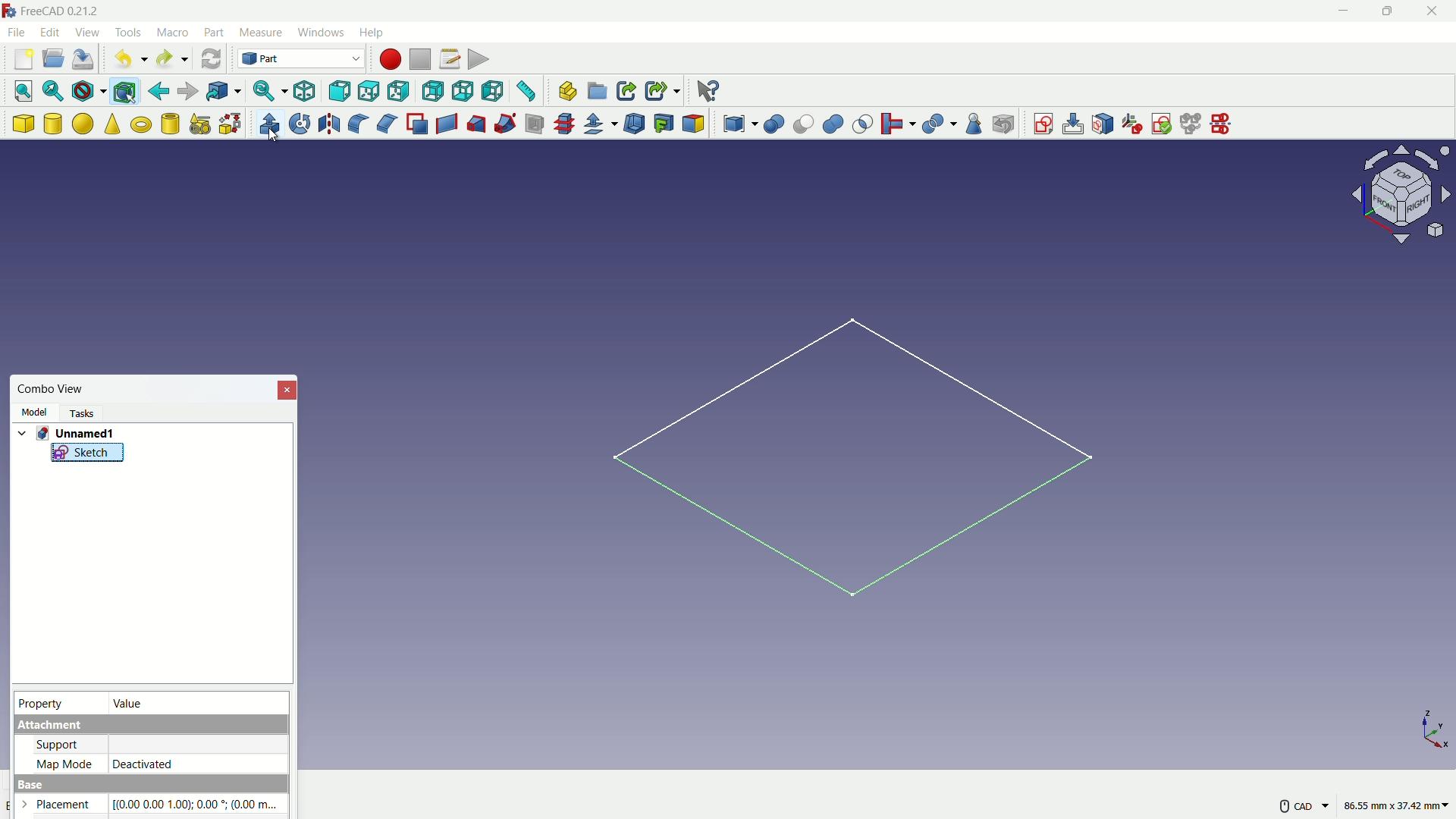 Image resolution: width=1456 pixels, height=819 pixels. What do you see at coordinates (159, 92) in the screenshot?
I see `go back` at bounding box center [159, 92].